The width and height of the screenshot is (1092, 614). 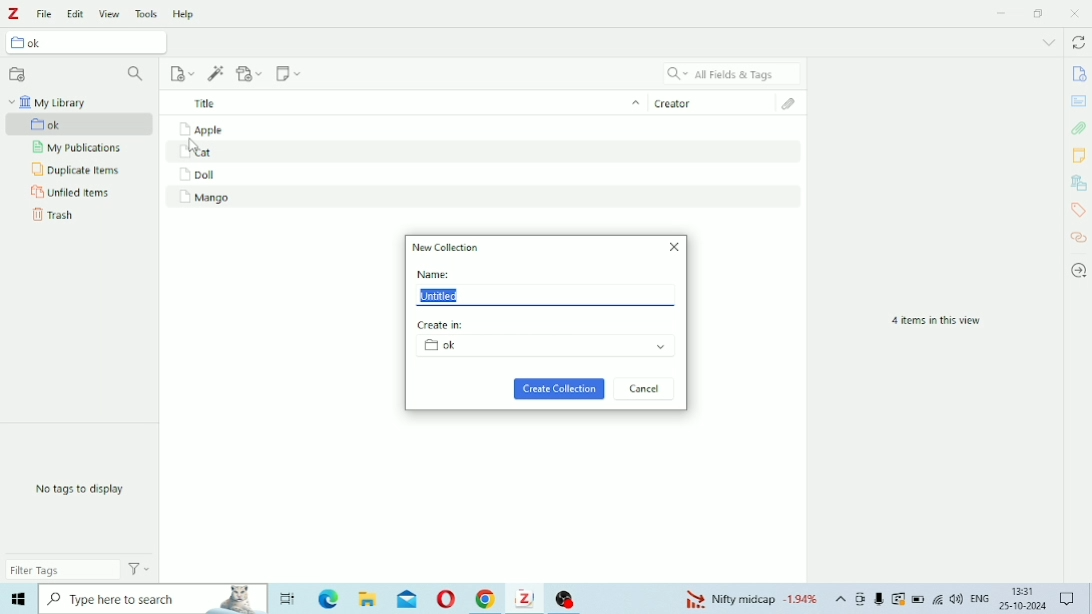 What do you see at coordinates (1078, 74) in the screenshot?
I see `Info` at bounding box center [1078, 74].